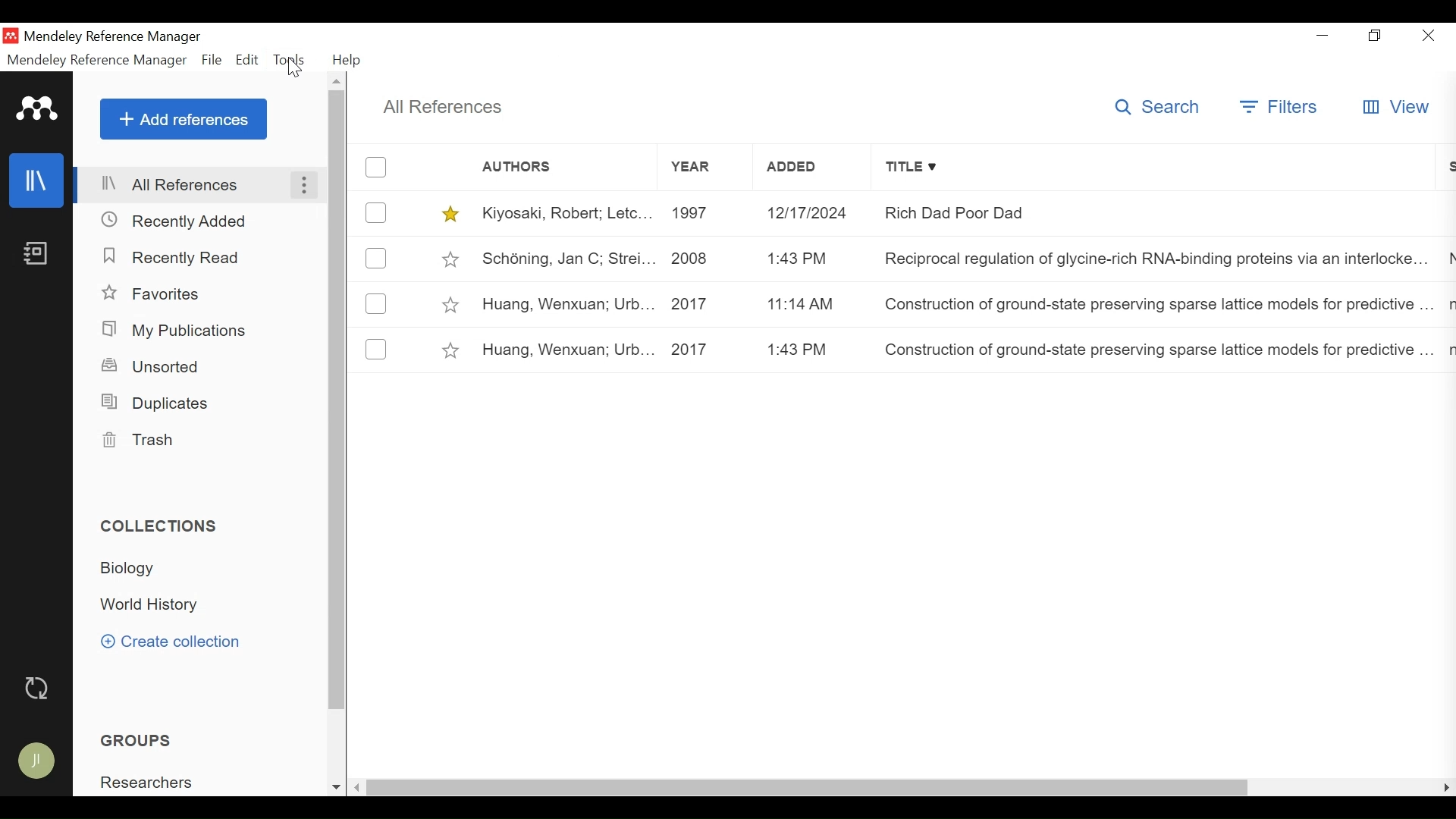  Describe the element at coordinates (1323, 36) in the screenshot. I see `minimize` at that location.